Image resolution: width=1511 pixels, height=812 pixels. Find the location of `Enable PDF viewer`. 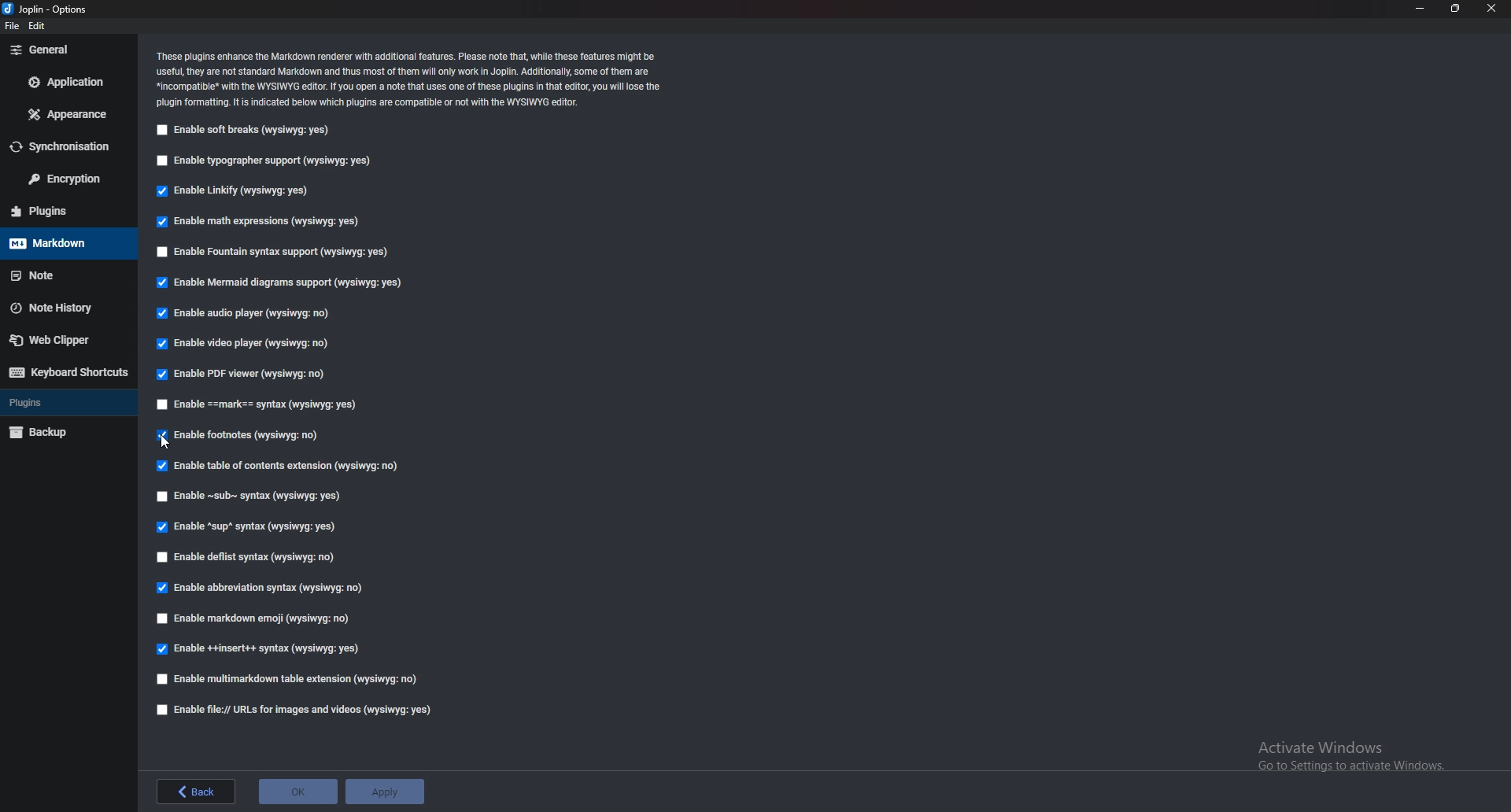

Enable PDF viewer is located at coordinates (244, 374).